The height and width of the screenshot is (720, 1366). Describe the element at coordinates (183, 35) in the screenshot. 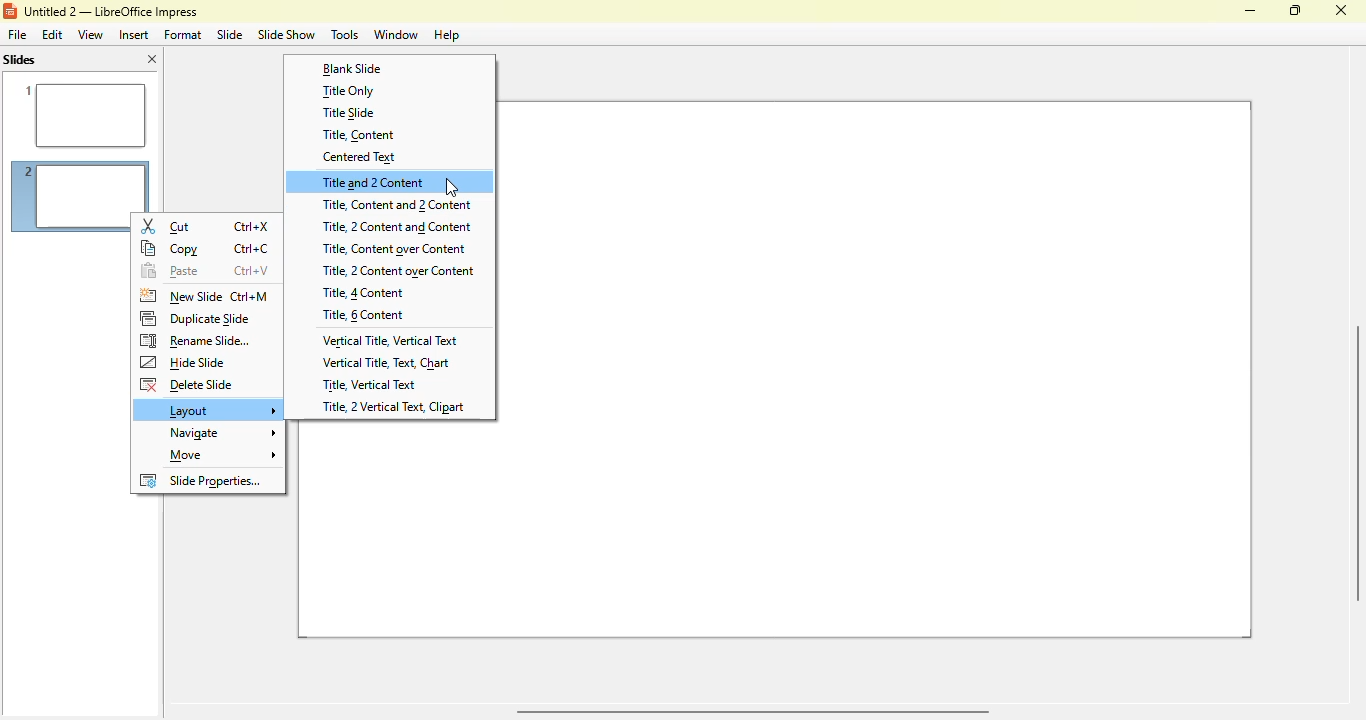

I see `format` at that location.